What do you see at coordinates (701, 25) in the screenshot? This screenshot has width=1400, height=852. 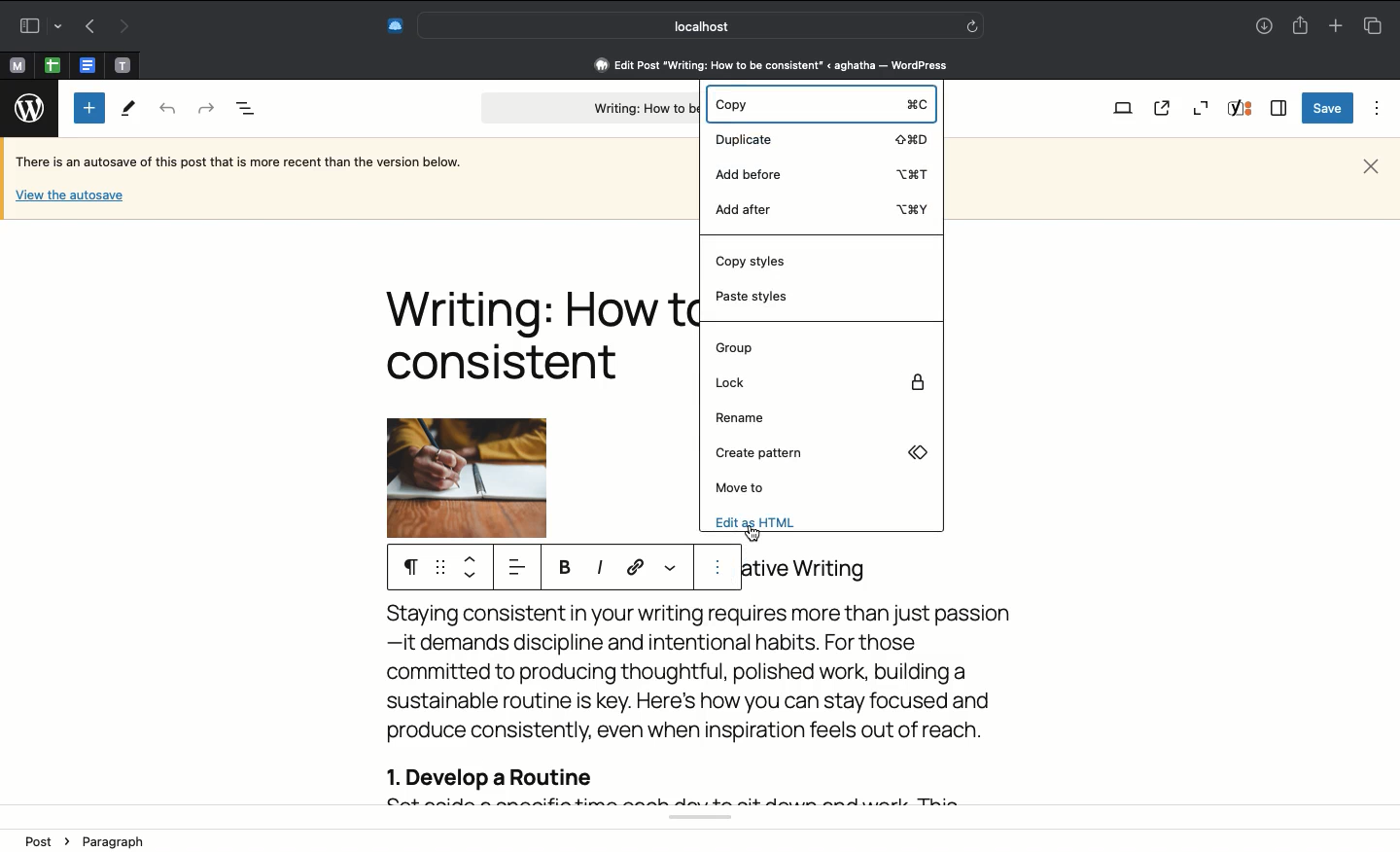 I see `Search bar` at bounding box center [701, 25].